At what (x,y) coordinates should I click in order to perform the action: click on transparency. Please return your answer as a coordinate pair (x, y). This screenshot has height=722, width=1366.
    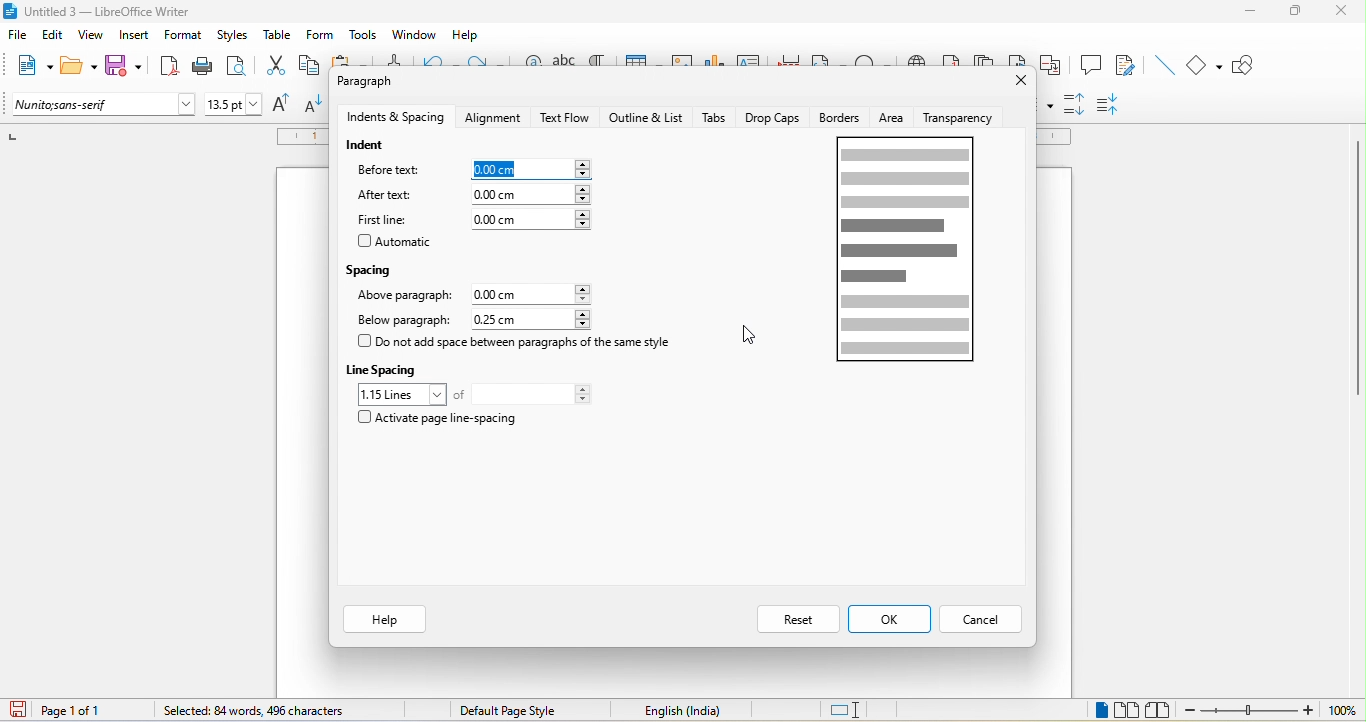
    Looking at the image, I should click on (960, 119).